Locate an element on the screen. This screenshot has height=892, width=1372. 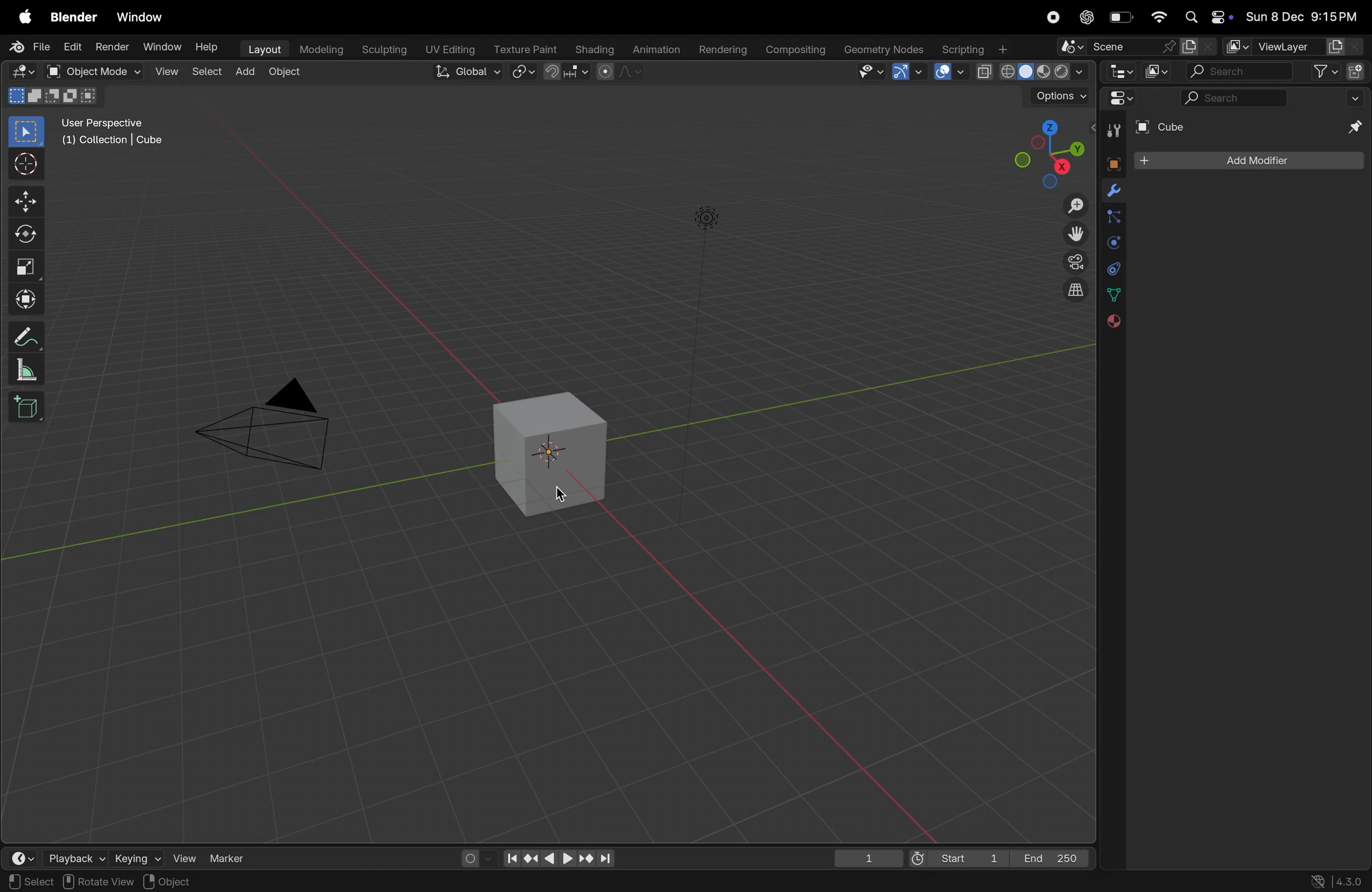
help is located at coordinates (210, 48).